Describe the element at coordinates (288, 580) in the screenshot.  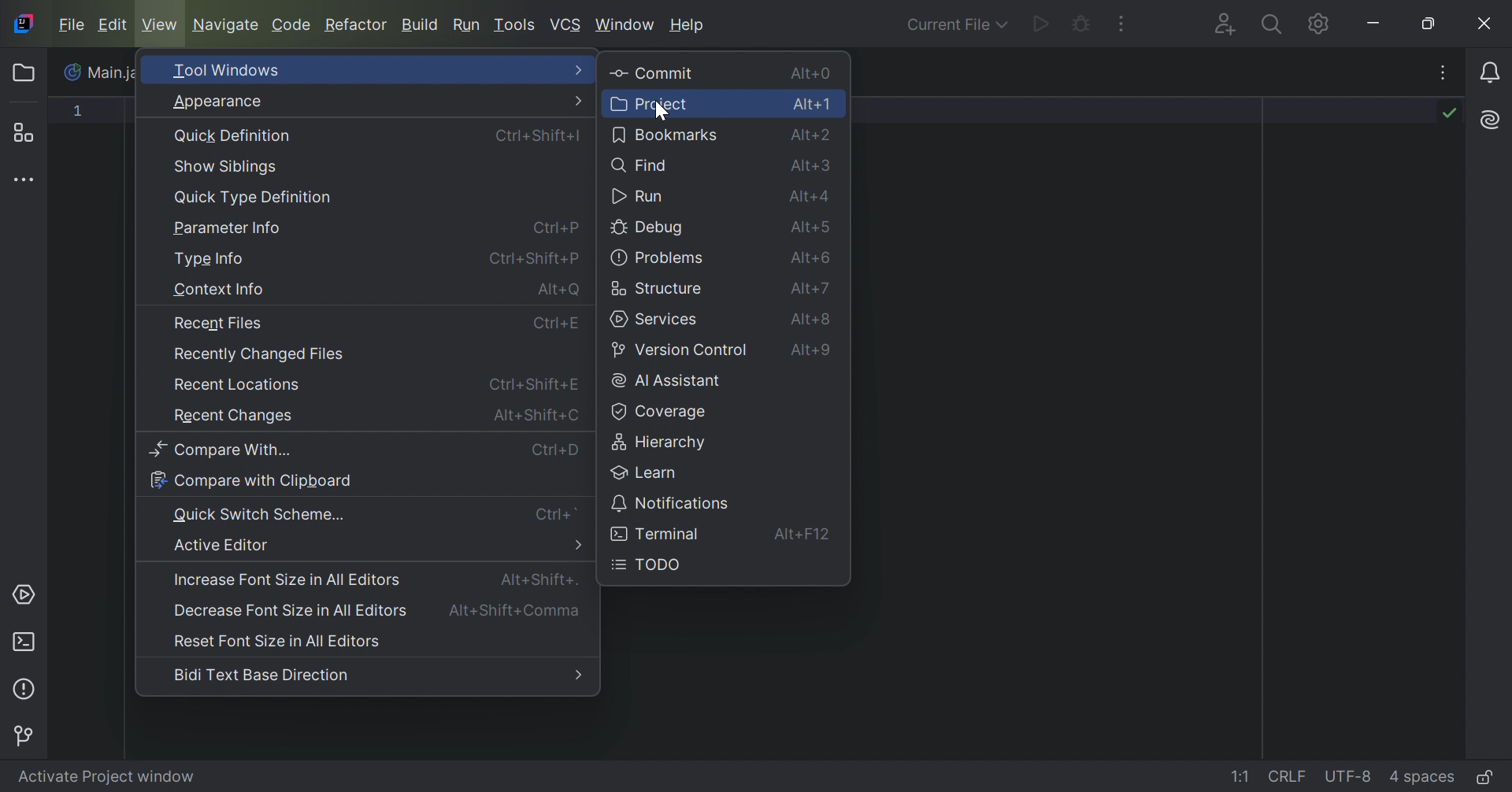
I see `Increase Font Size in All Editors` at that location.